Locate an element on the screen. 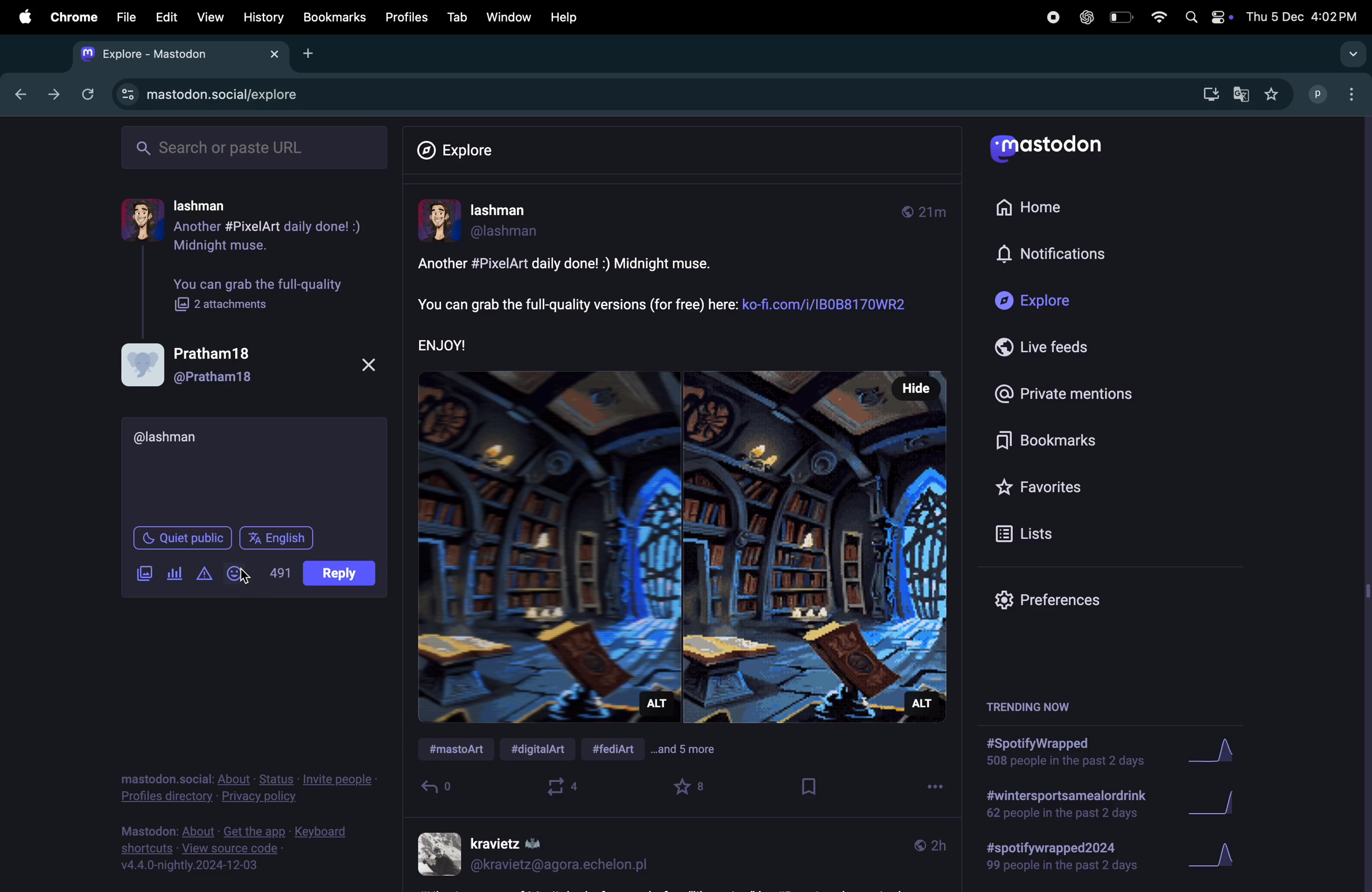 The image size is (1372, 892). mastdon explore is located at coordinates (224, 95).